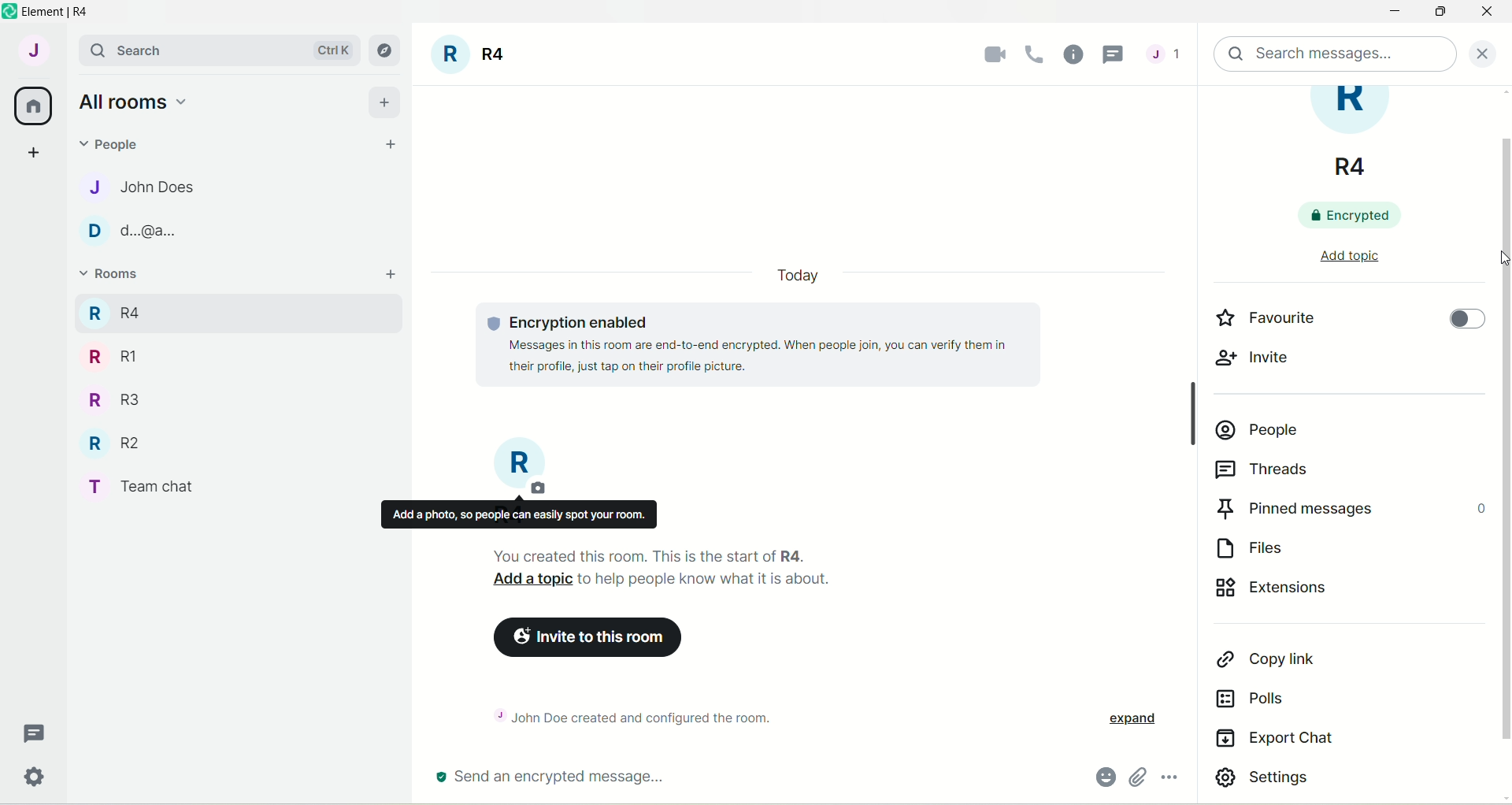 The image size is (1512, 805). I want to click on R R3, so click(109, 398).